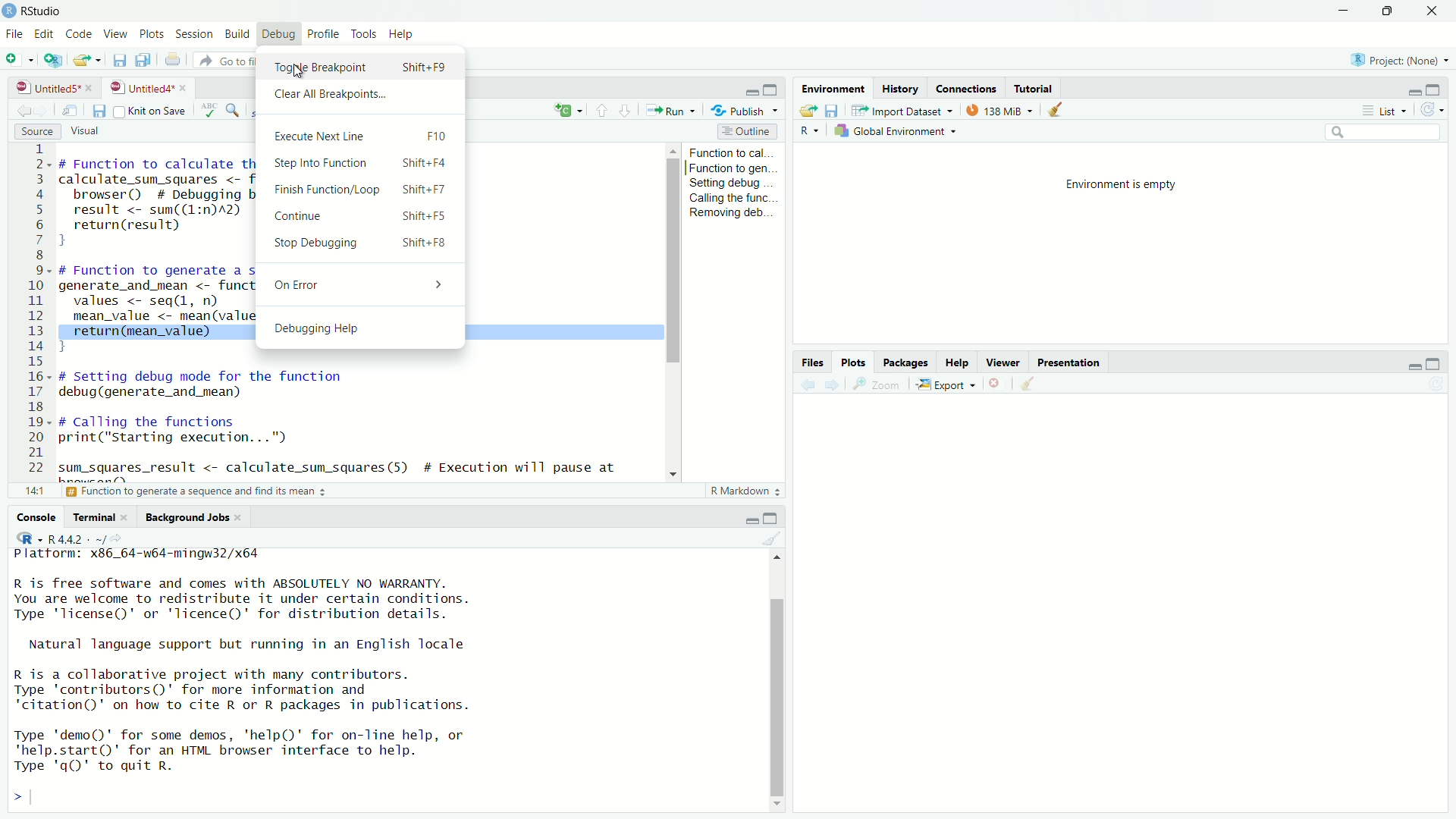 This screenshot has height=819, width=1456. Describe the element at coordinates (1003, 112) in the screenshot. I see `138 MiB` at that location.